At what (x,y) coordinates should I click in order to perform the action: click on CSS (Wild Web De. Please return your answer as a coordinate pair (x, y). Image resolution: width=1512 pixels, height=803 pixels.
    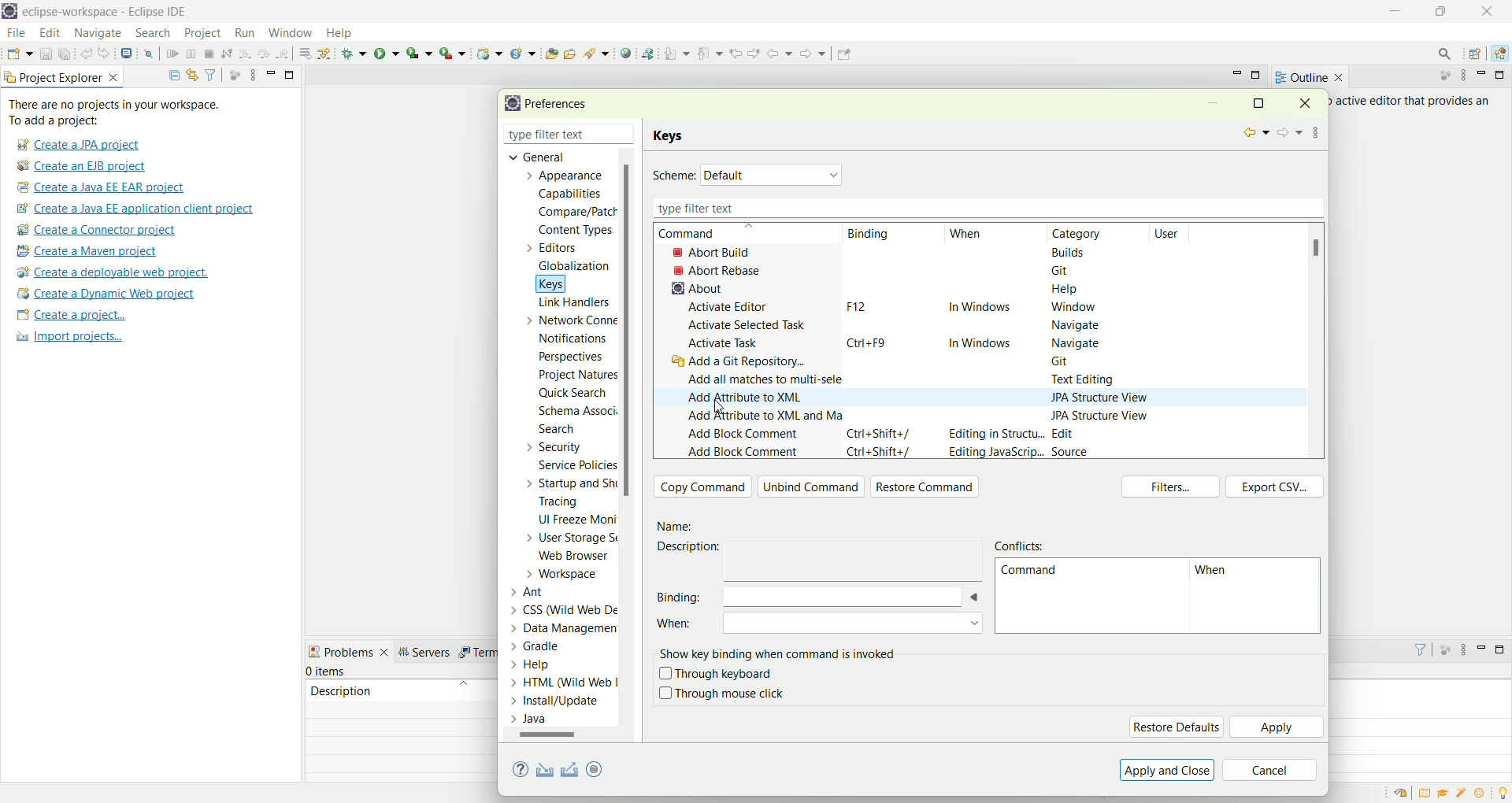
    Looking at the image, I should click on (568, 608).